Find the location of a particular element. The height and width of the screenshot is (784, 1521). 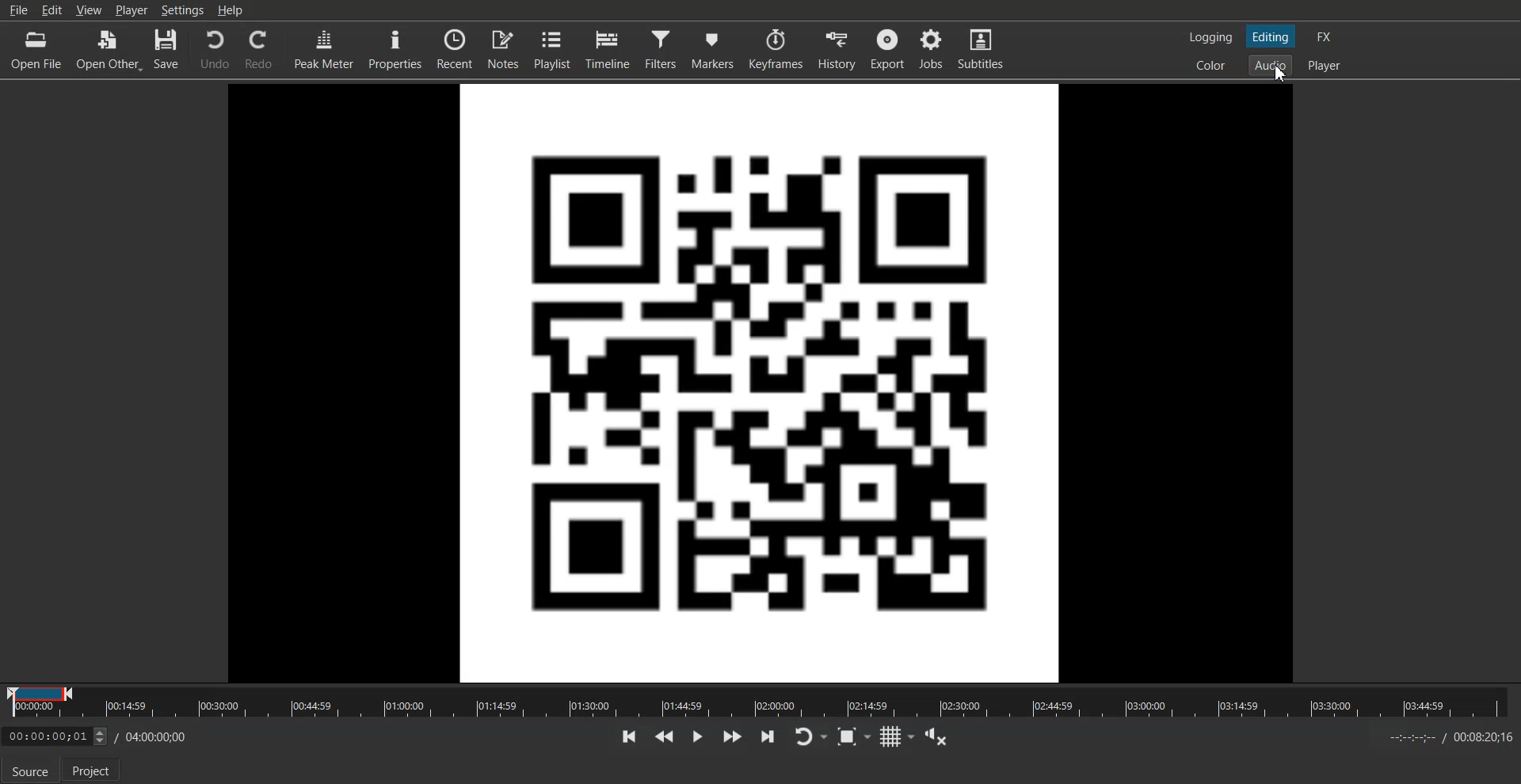

Skip to the previous point is located at coordinates (629, 736).